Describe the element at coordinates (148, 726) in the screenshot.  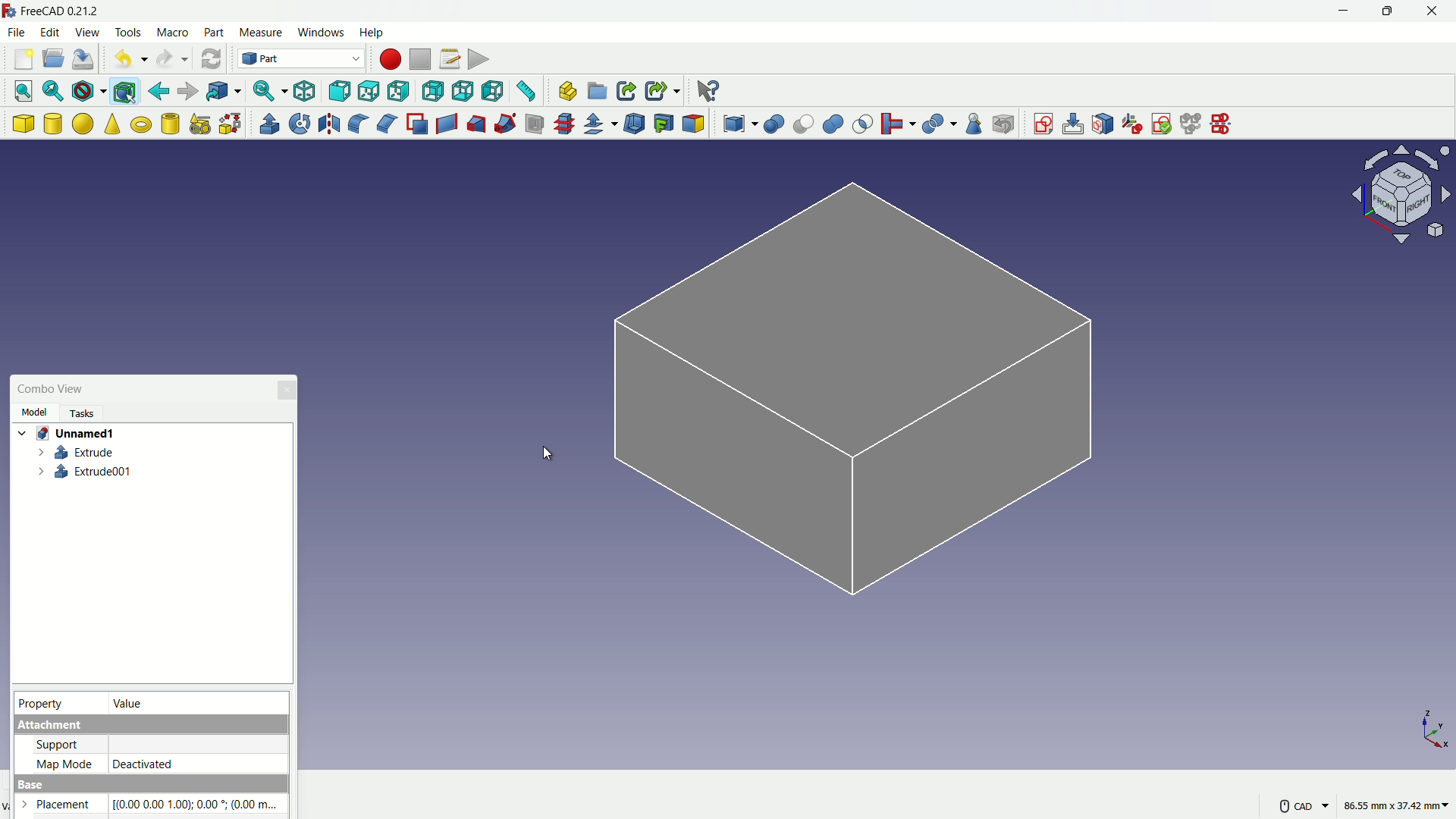
I see `Attachment` at that location.